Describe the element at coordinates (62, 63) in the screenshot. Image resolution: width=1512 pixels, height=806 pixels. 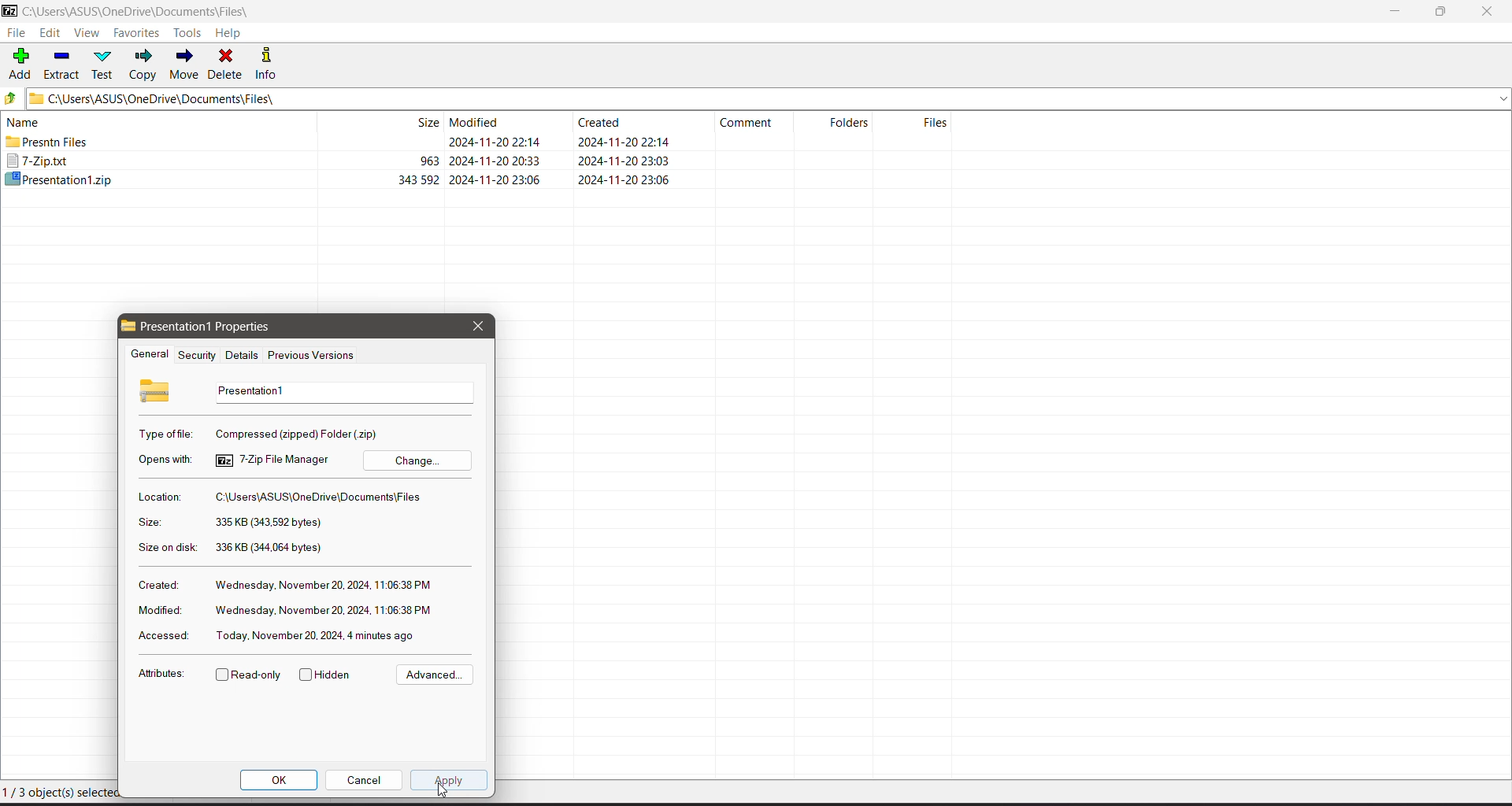
I see `Extract` at that location.